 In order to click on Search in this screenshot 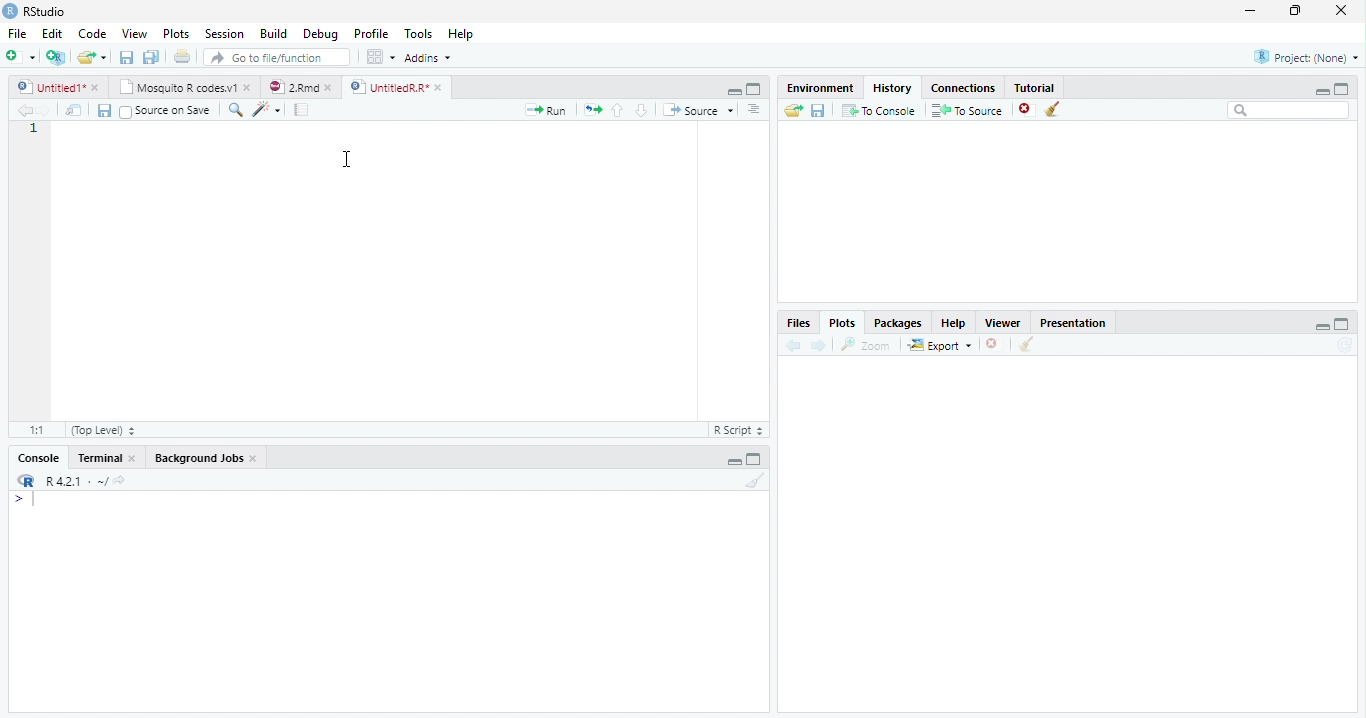, I will do `click(1289, 111)`.